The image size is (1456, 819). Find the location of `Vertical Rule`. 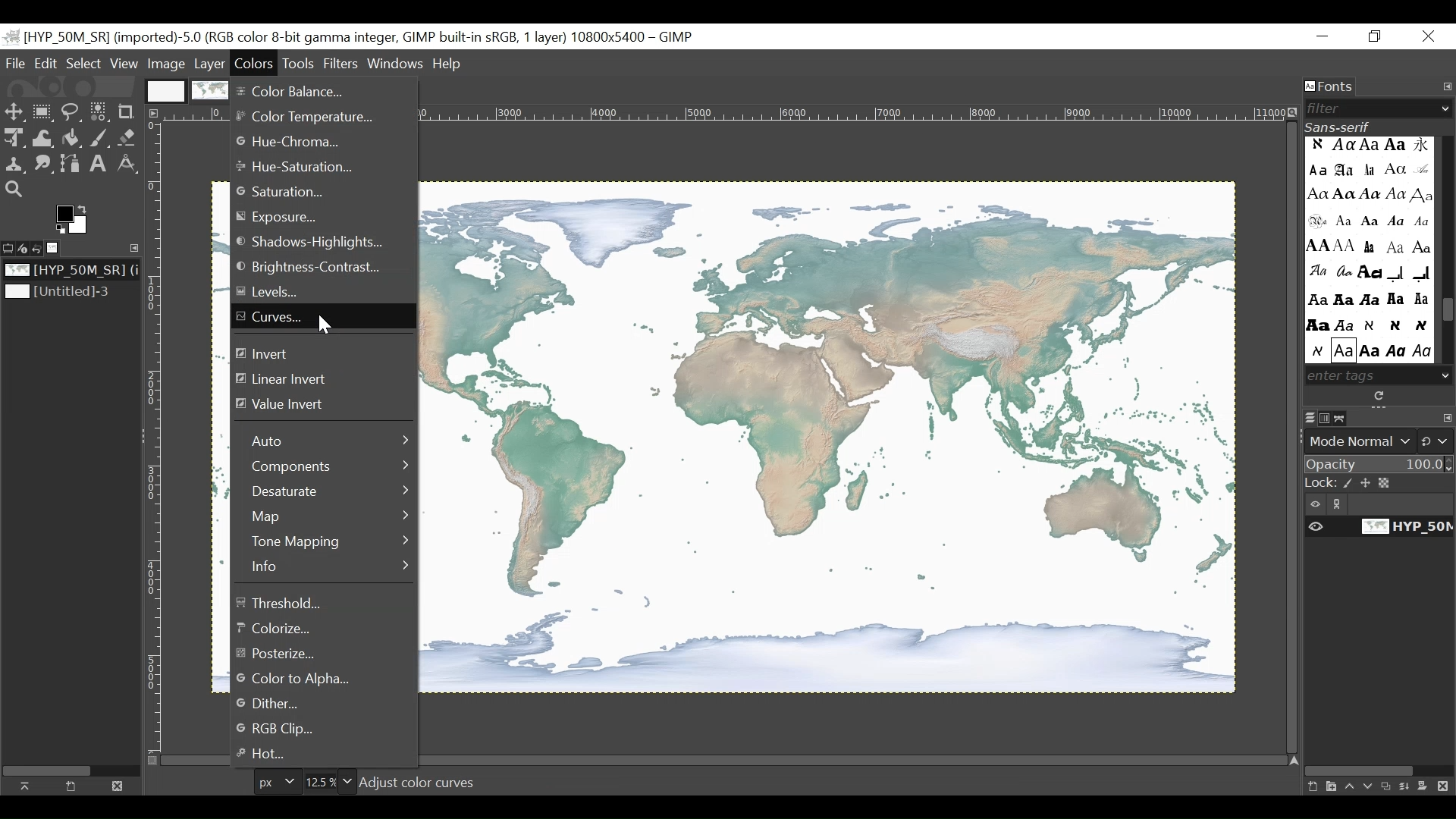

Vertical Rule is located at coordinates (153, 437).